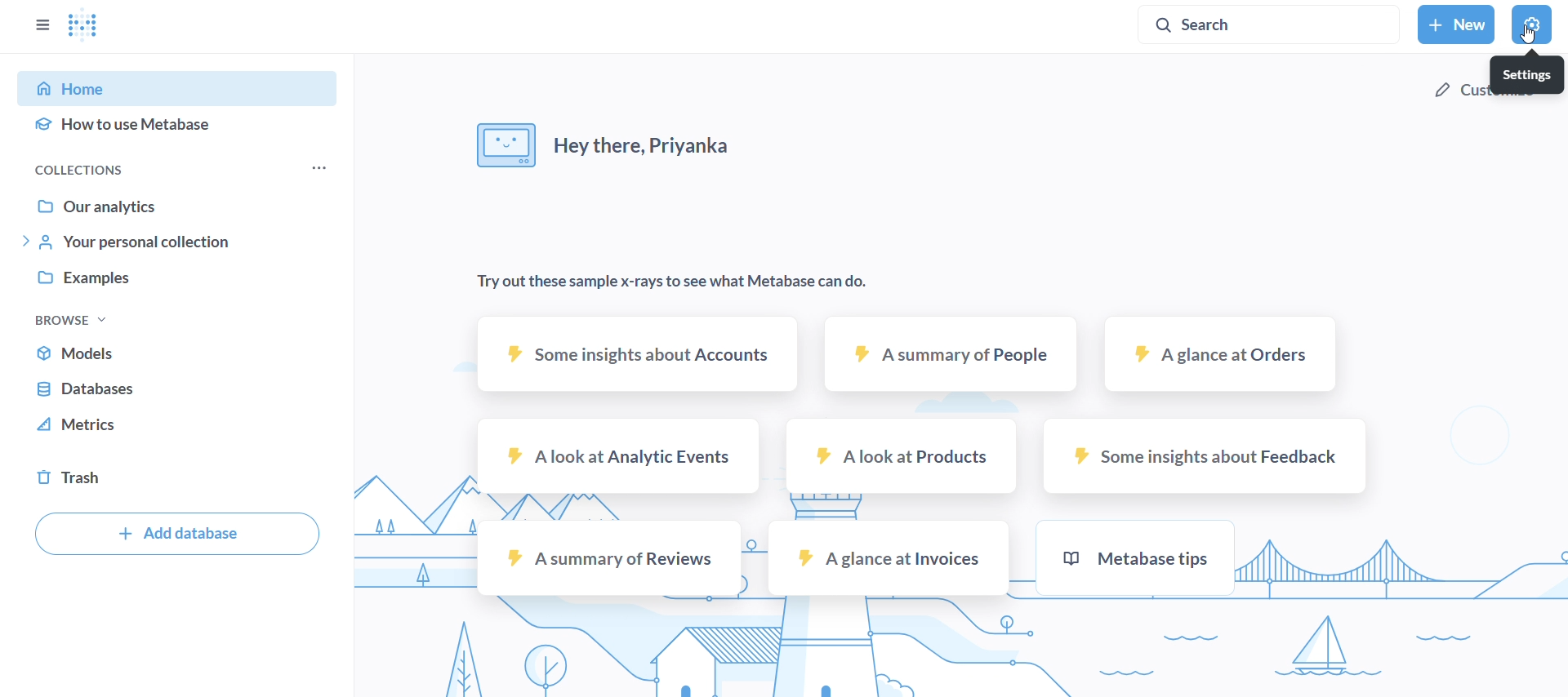 This screenshot has width=1568, height=697. I want to click on a look as analytic events, so click(616, 457).